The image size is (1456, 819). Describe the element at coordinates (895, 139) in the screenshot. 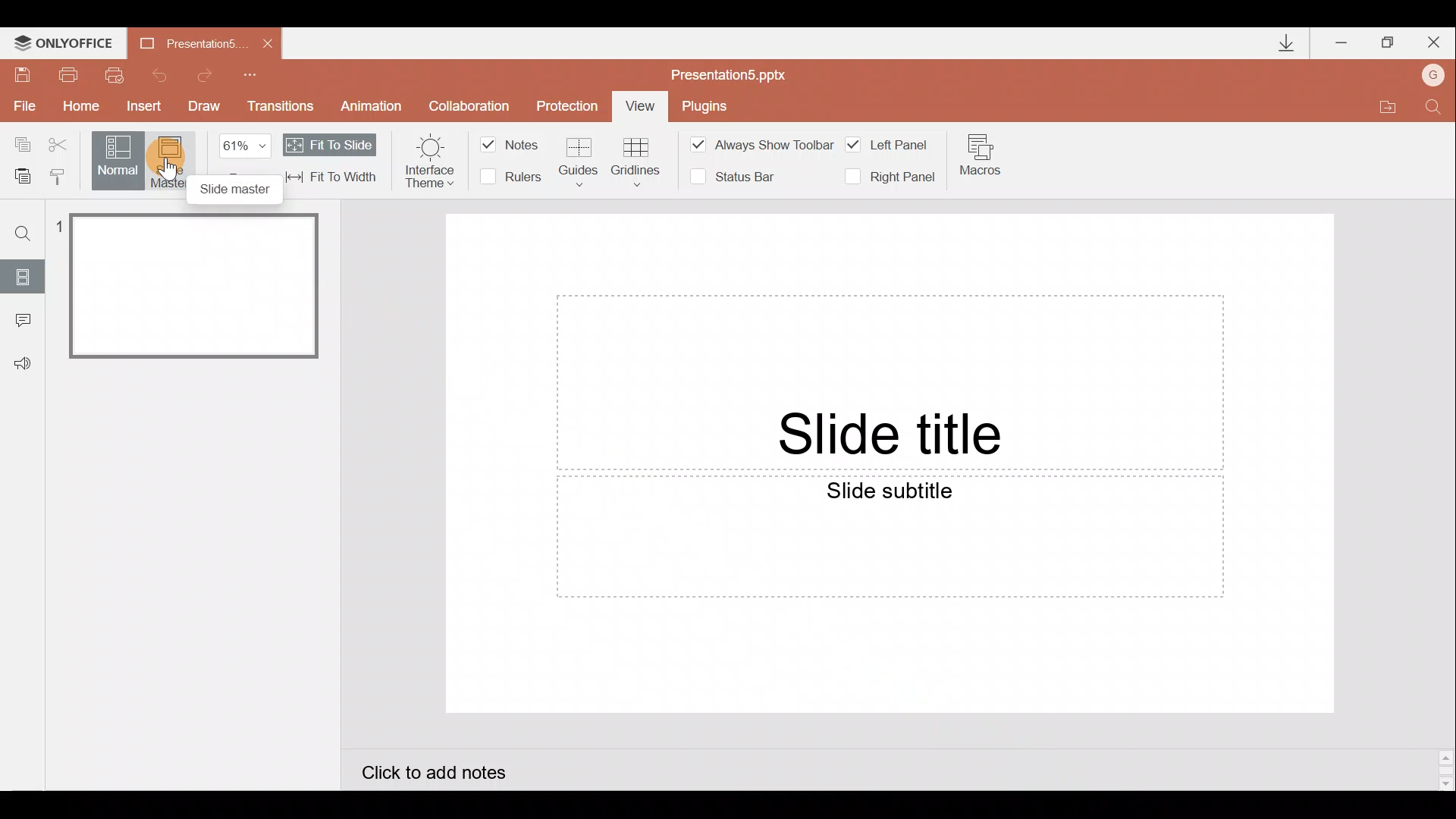

I see `Left panel` at that location.